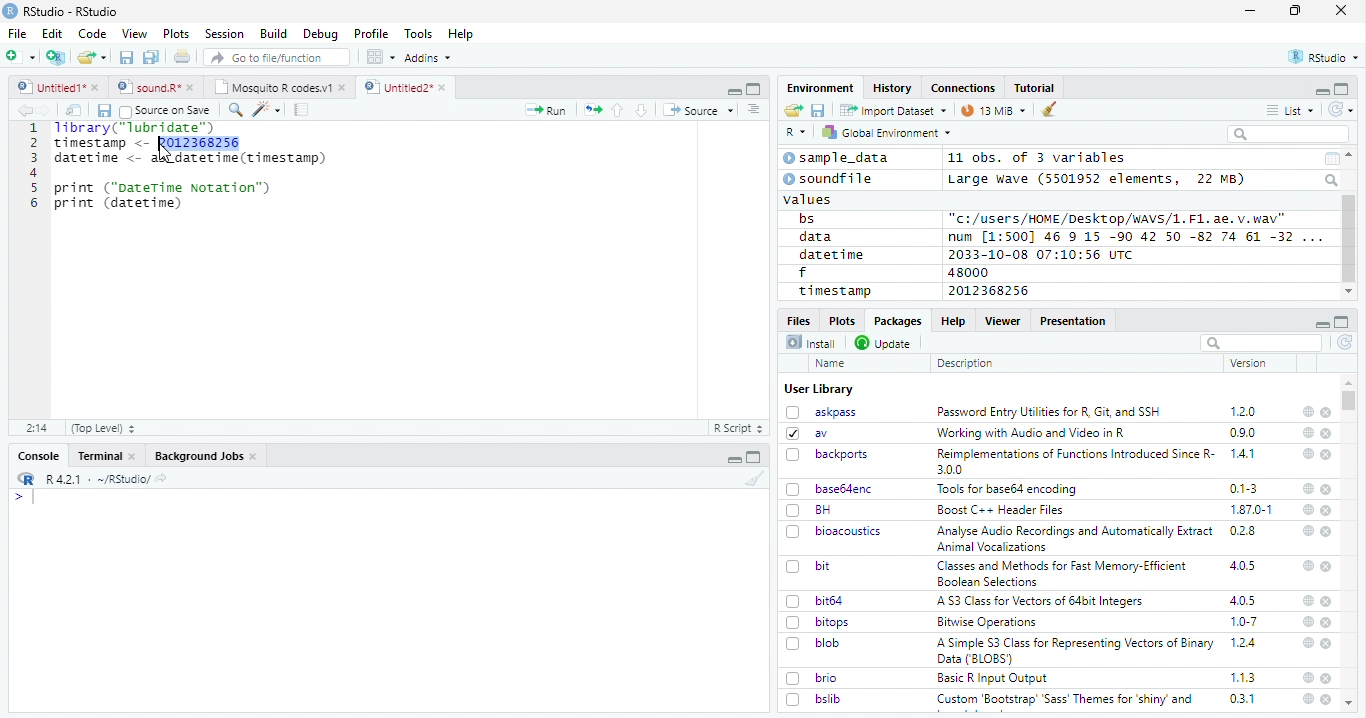 The width and height of the screenshot is (1366, 718). What do you see at coordinates (812, 678) in the screenshot?
I see `brio` at bounding box center [812, 678].